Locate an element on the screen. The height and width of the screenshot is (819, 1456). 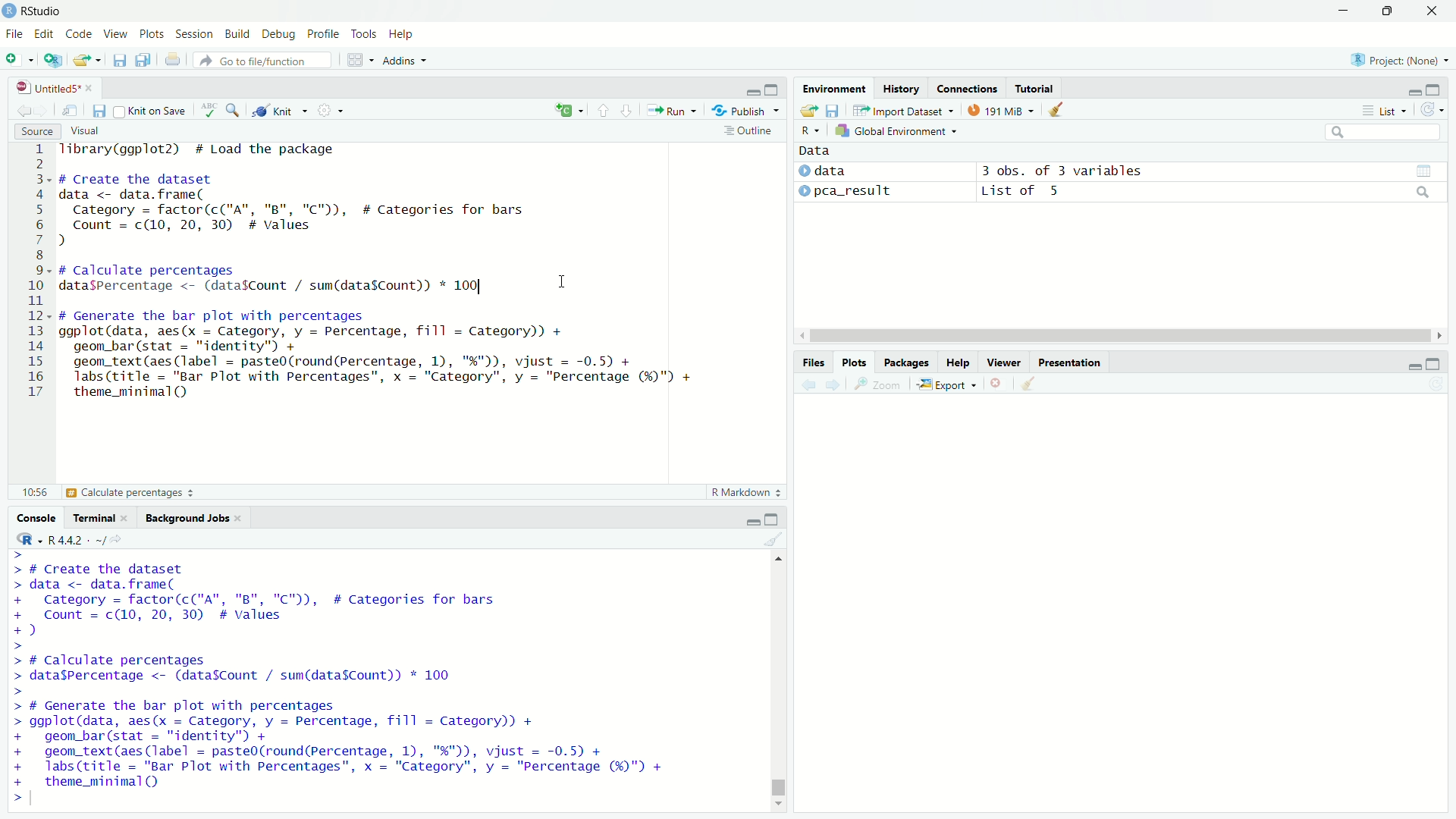
R language is located at coordinates (810, 130).